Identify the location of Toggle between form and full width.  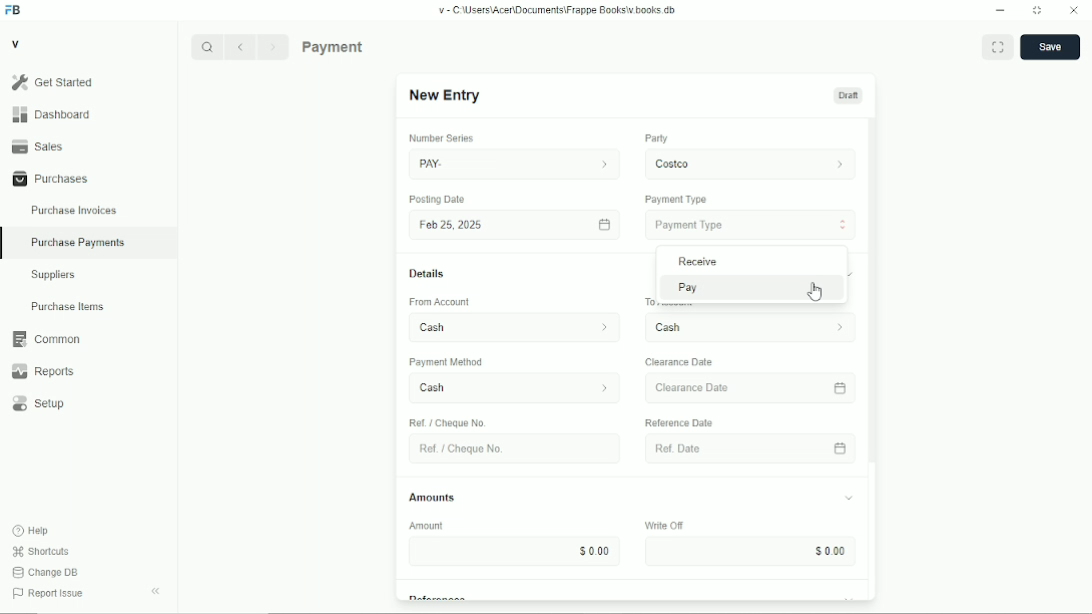
(997, 47).